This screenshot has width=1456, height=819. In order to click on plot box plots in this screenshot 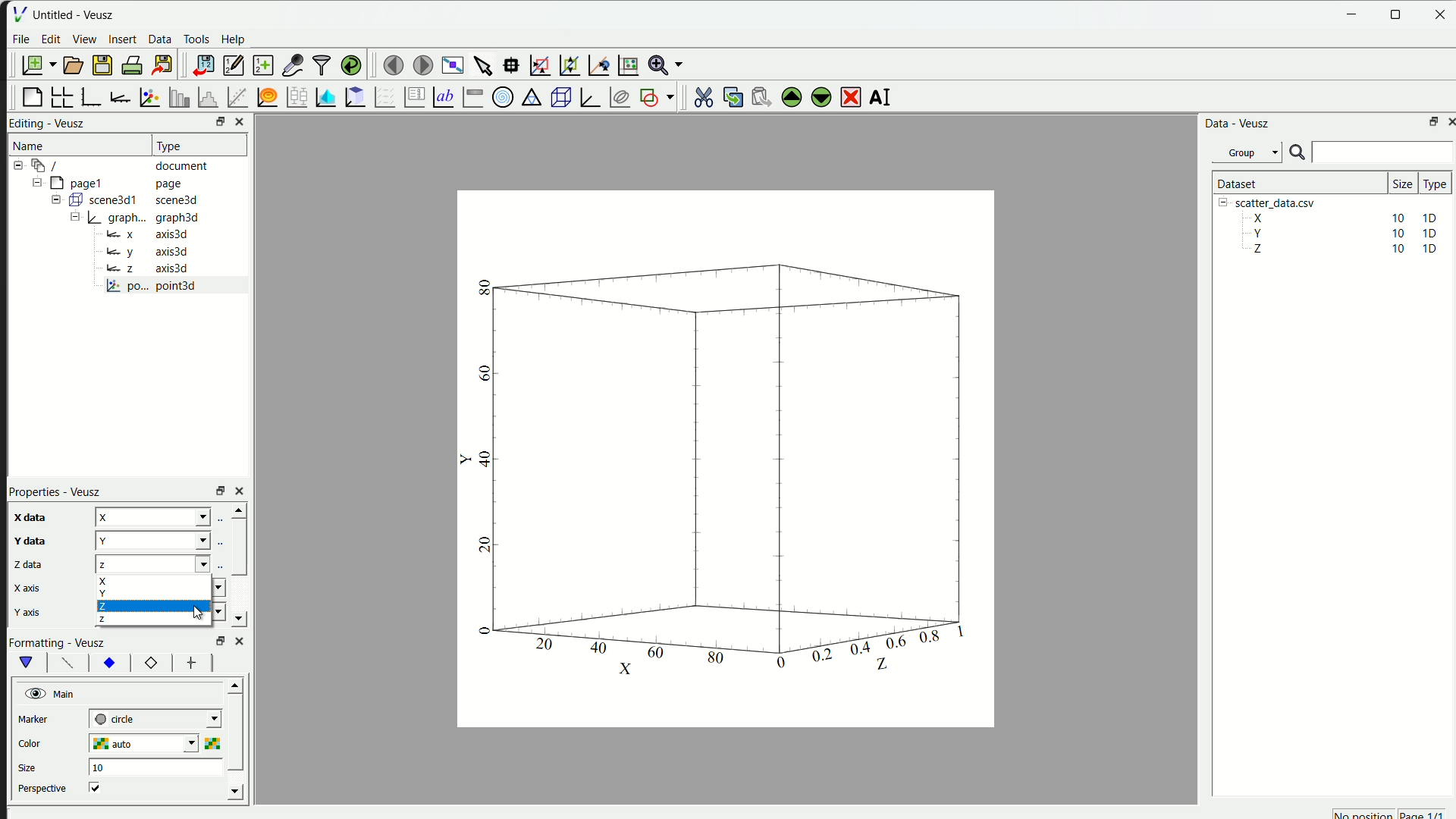, I will do `click(293, 98)`.